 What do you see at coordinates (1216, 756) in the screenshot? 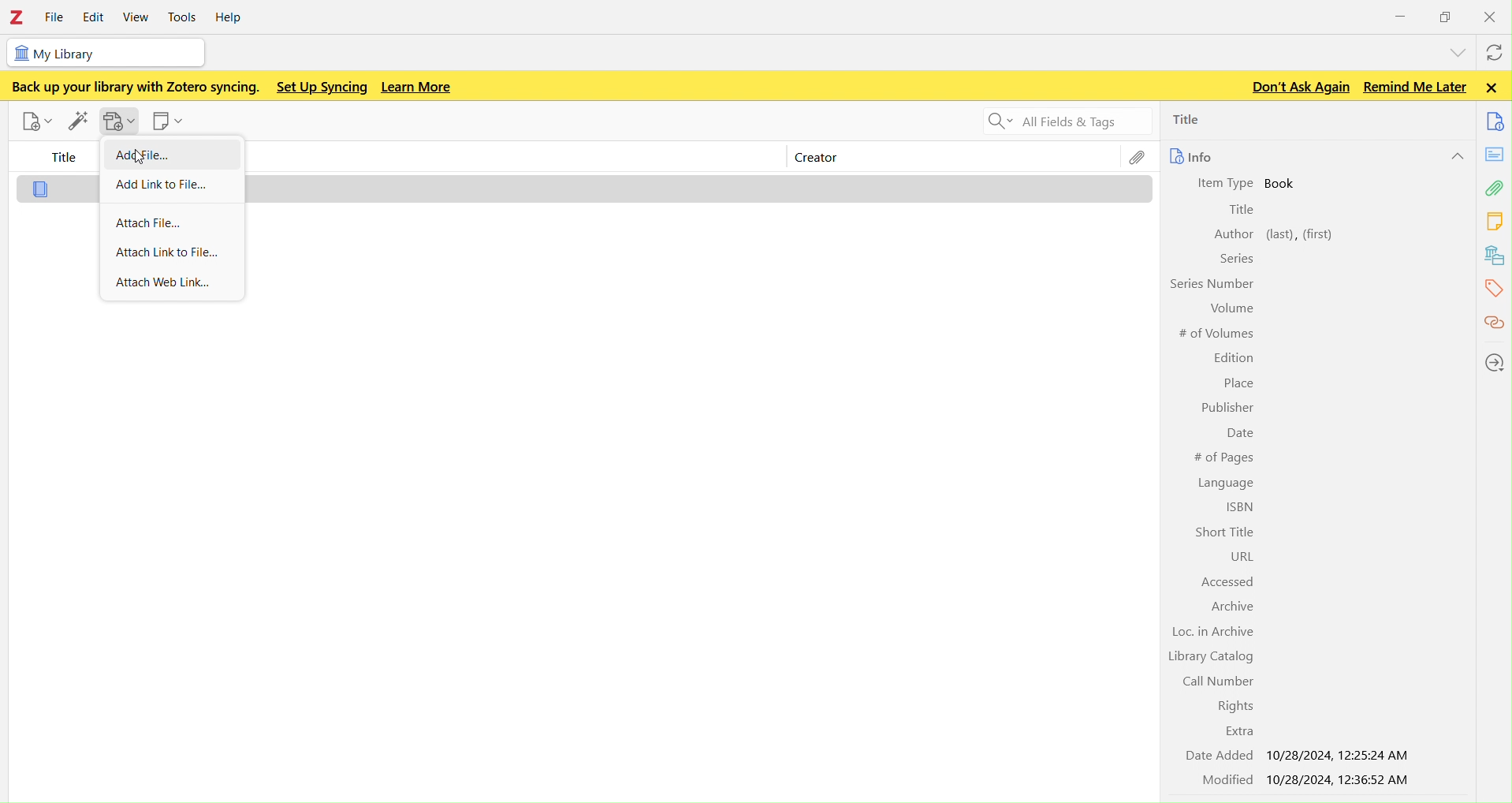
I see `Date Added` at bounding box center [1216, 756].